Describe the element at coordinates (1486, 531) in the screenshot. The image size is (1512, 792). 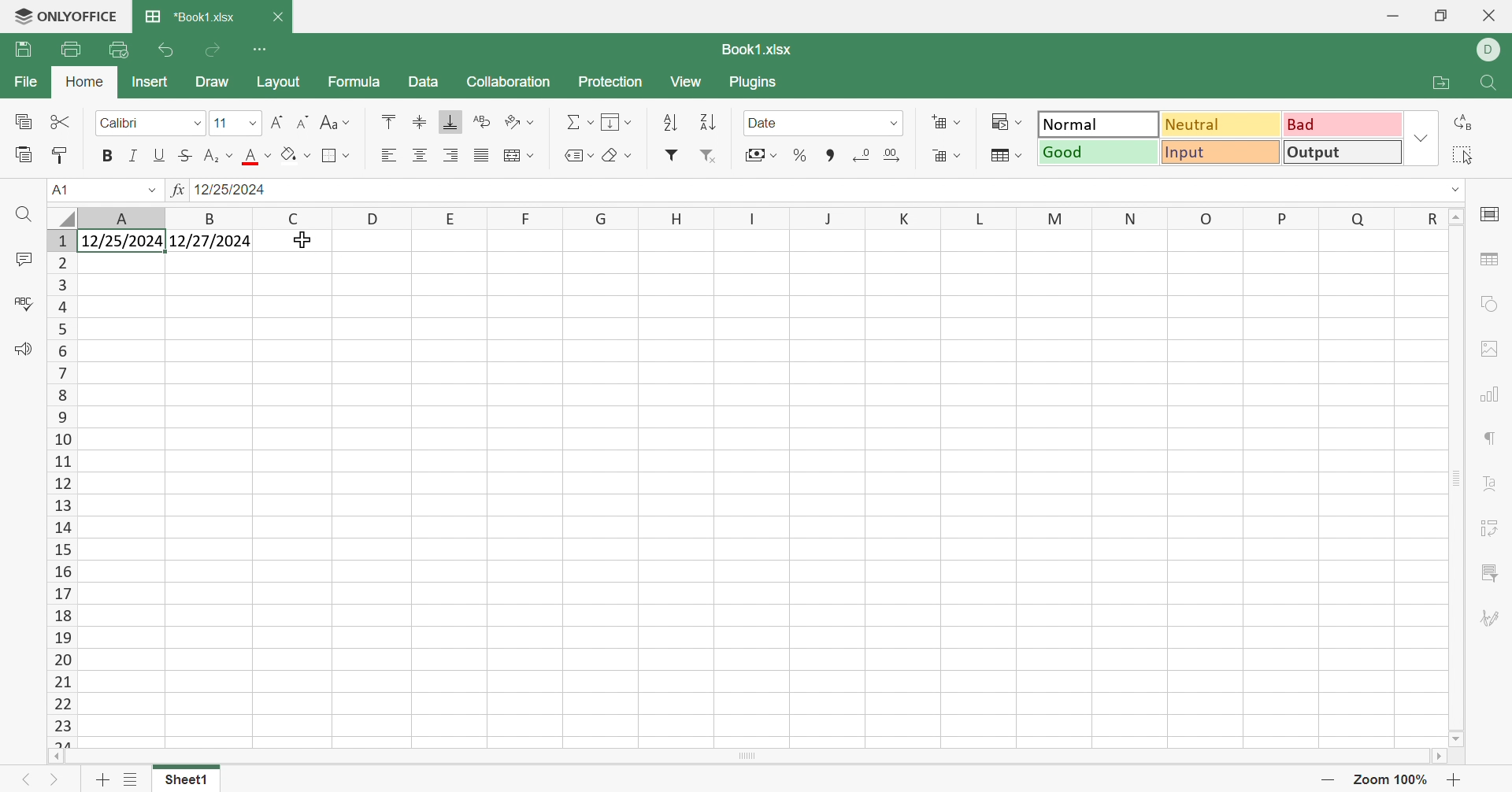
I see `Pivot table settings` at that location.